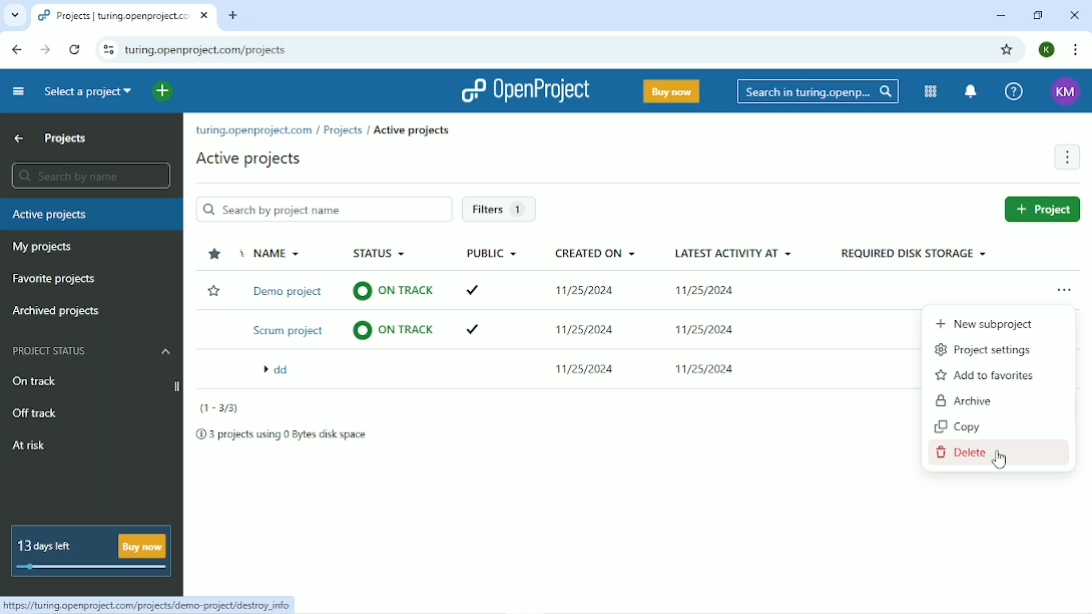 The image size is (1092, 614). Describe the element at coordinates (215, 255) in the screenshot. I see `Sort by "favorite"` at that location.